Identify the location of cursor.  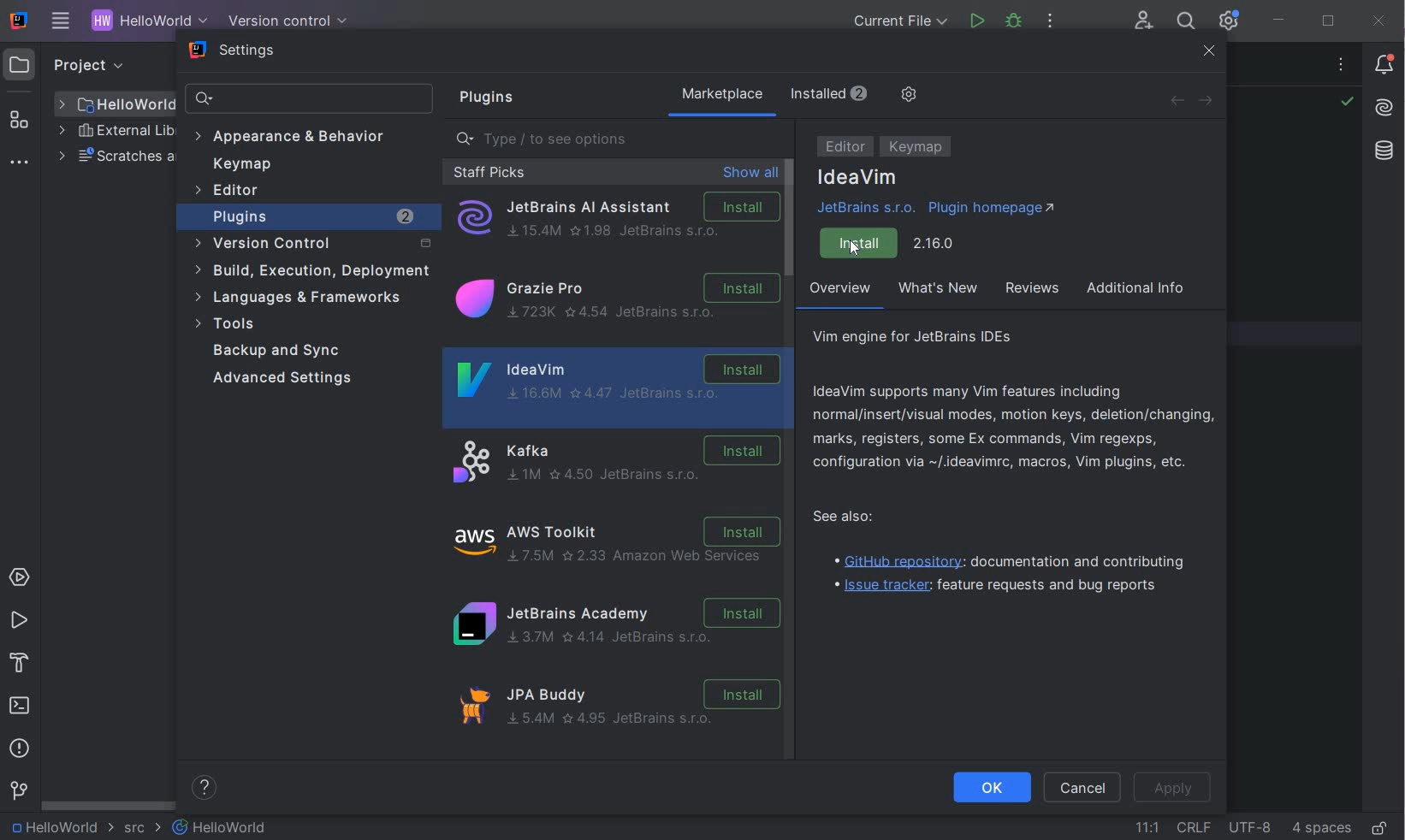
(851, 247).